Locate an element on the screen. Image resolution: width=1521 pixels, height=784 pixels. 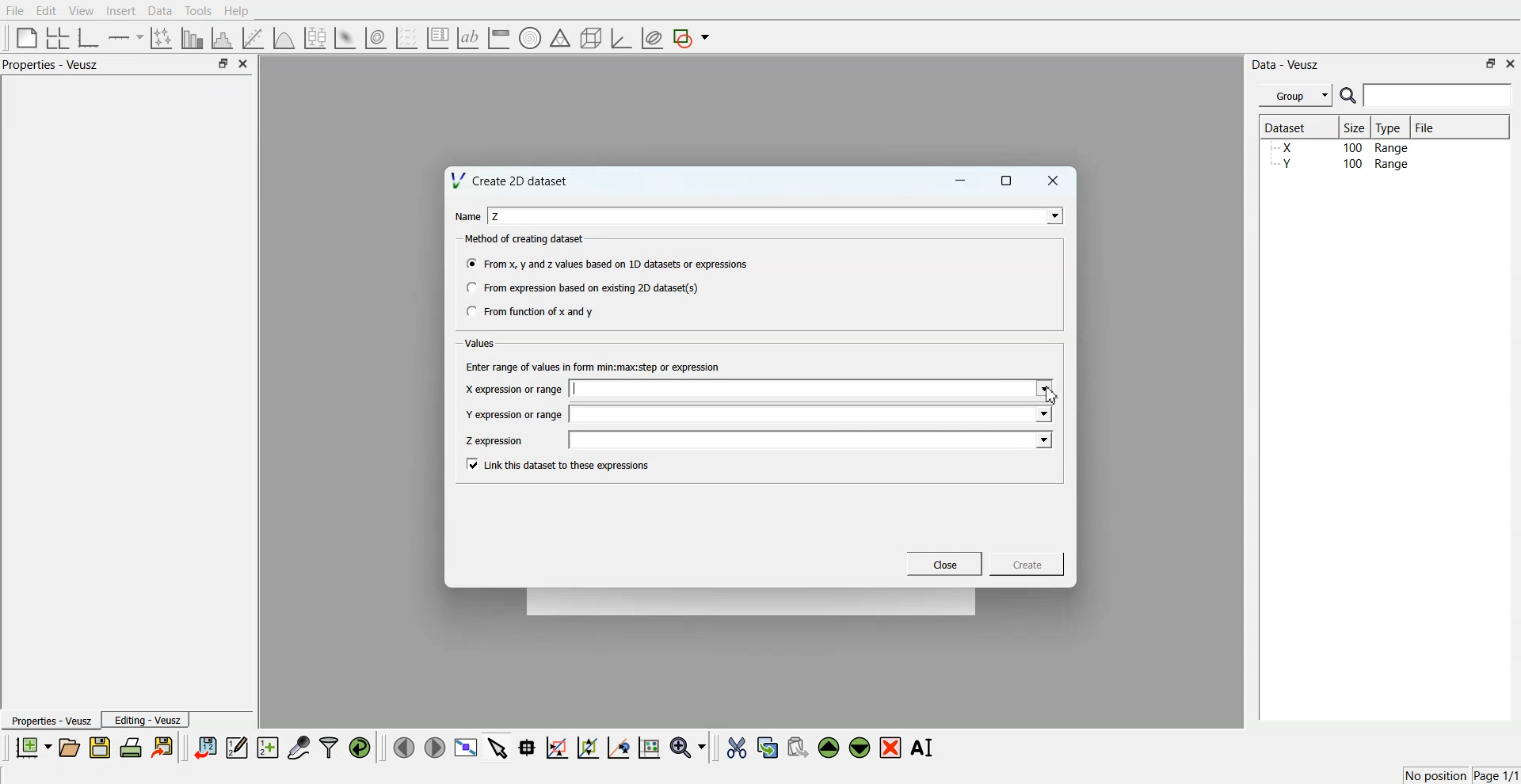
Recenter graph axes is located at coordinates (619, 747).